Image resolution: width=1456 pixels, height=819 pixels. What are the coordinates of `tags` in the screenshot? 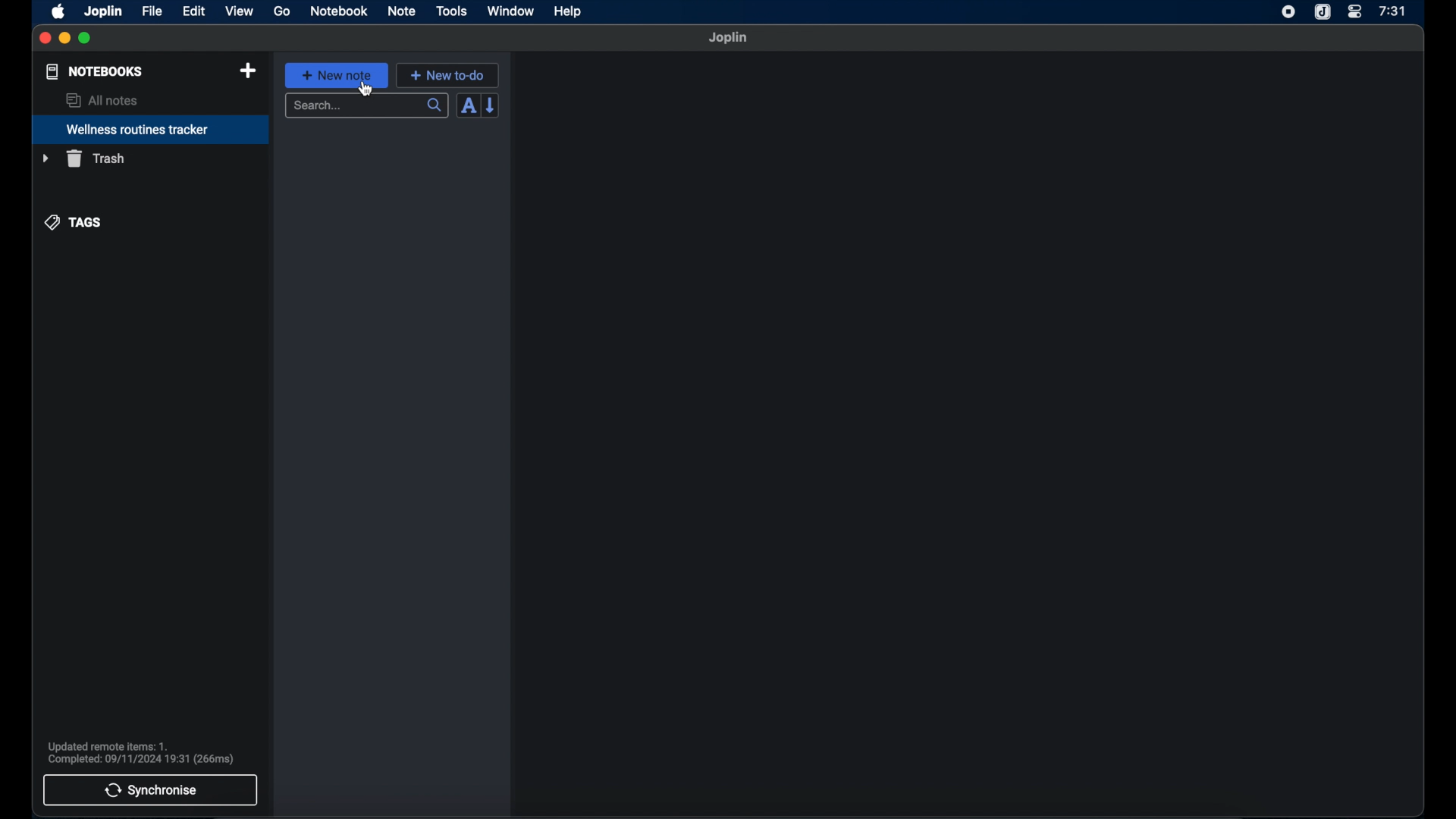 It's located at (74, 223).